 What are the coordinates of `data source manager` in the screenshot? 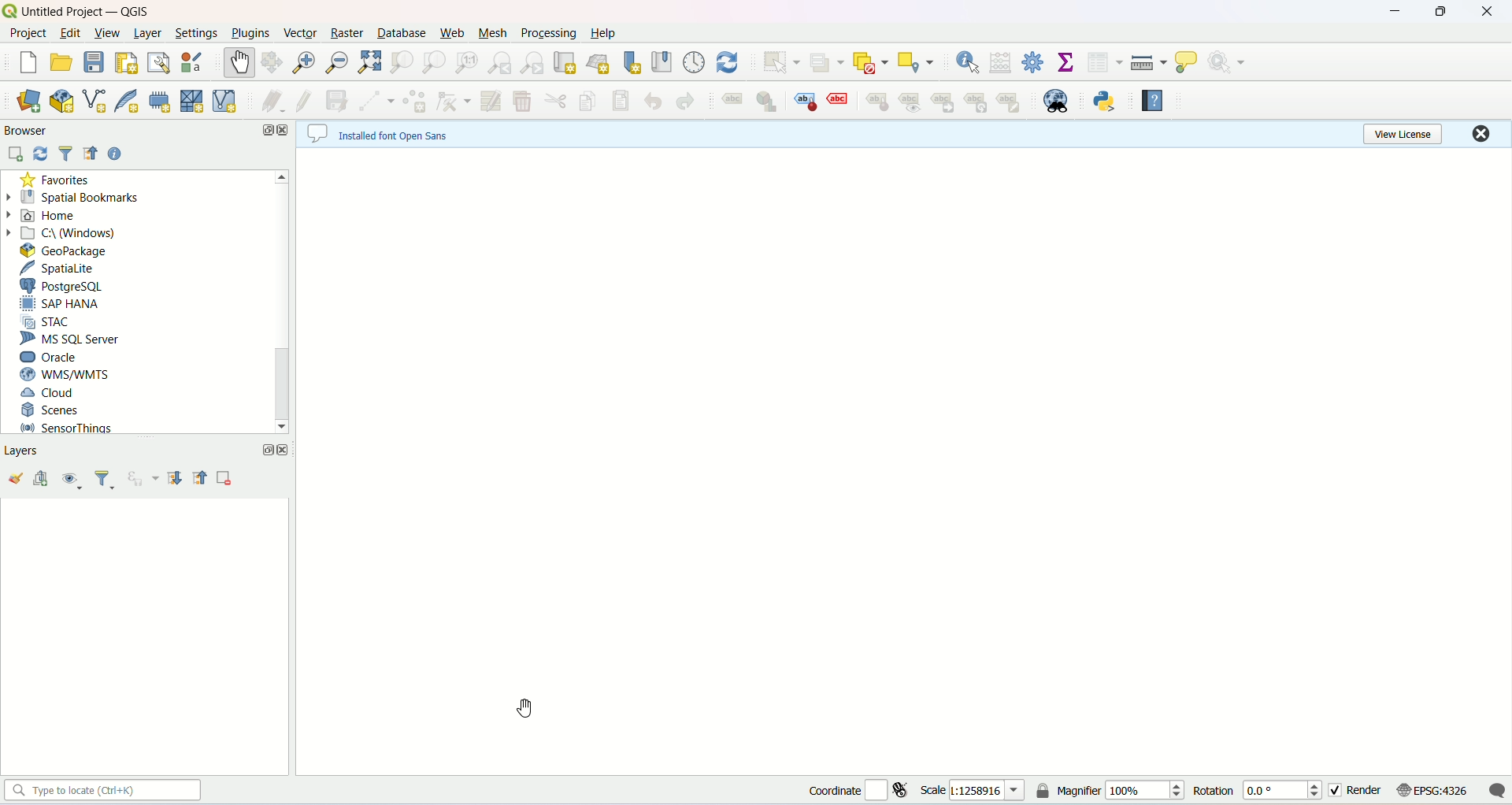 It's located at (26, 103).